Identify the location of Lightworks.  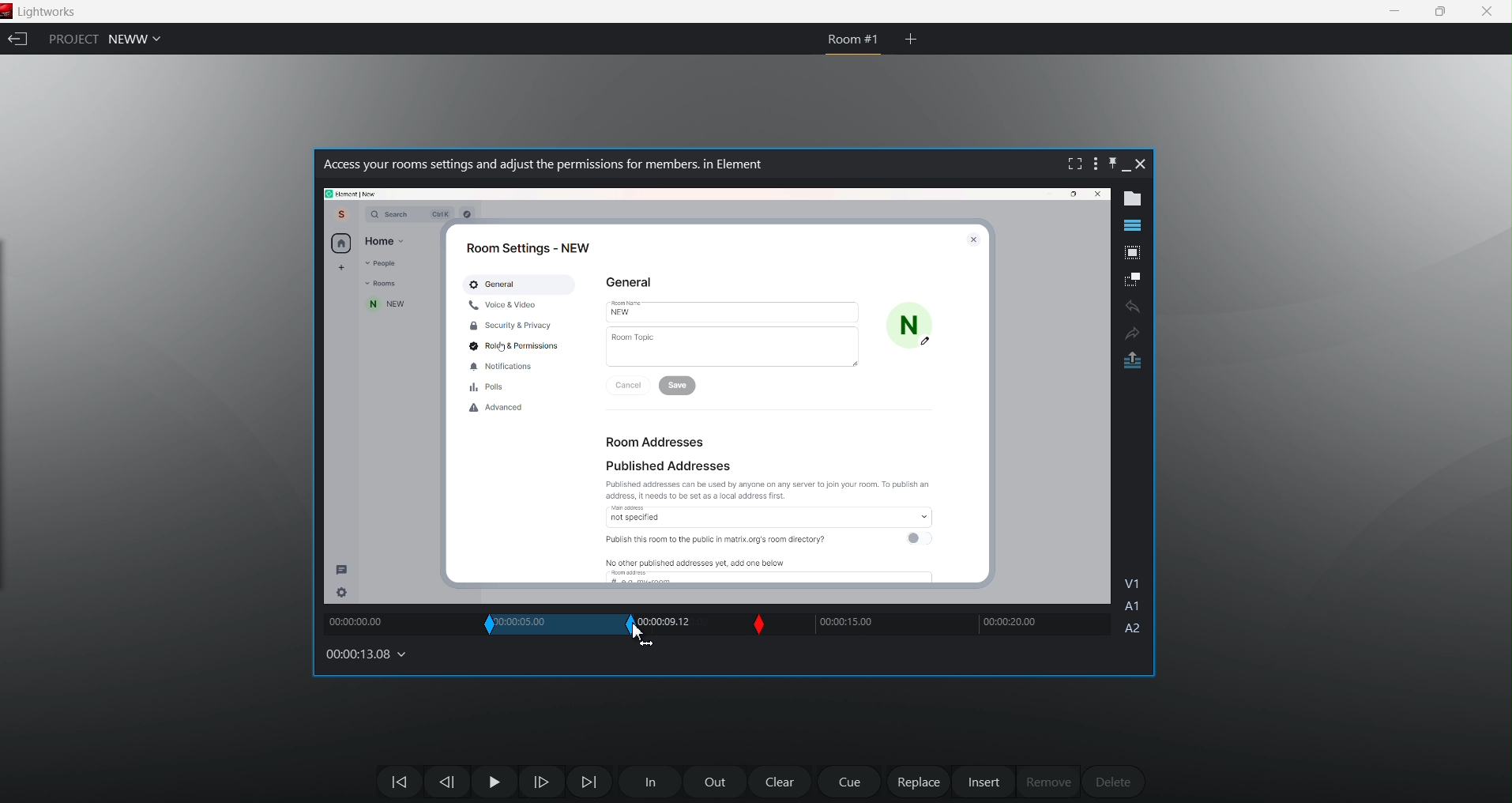
(54, 13).